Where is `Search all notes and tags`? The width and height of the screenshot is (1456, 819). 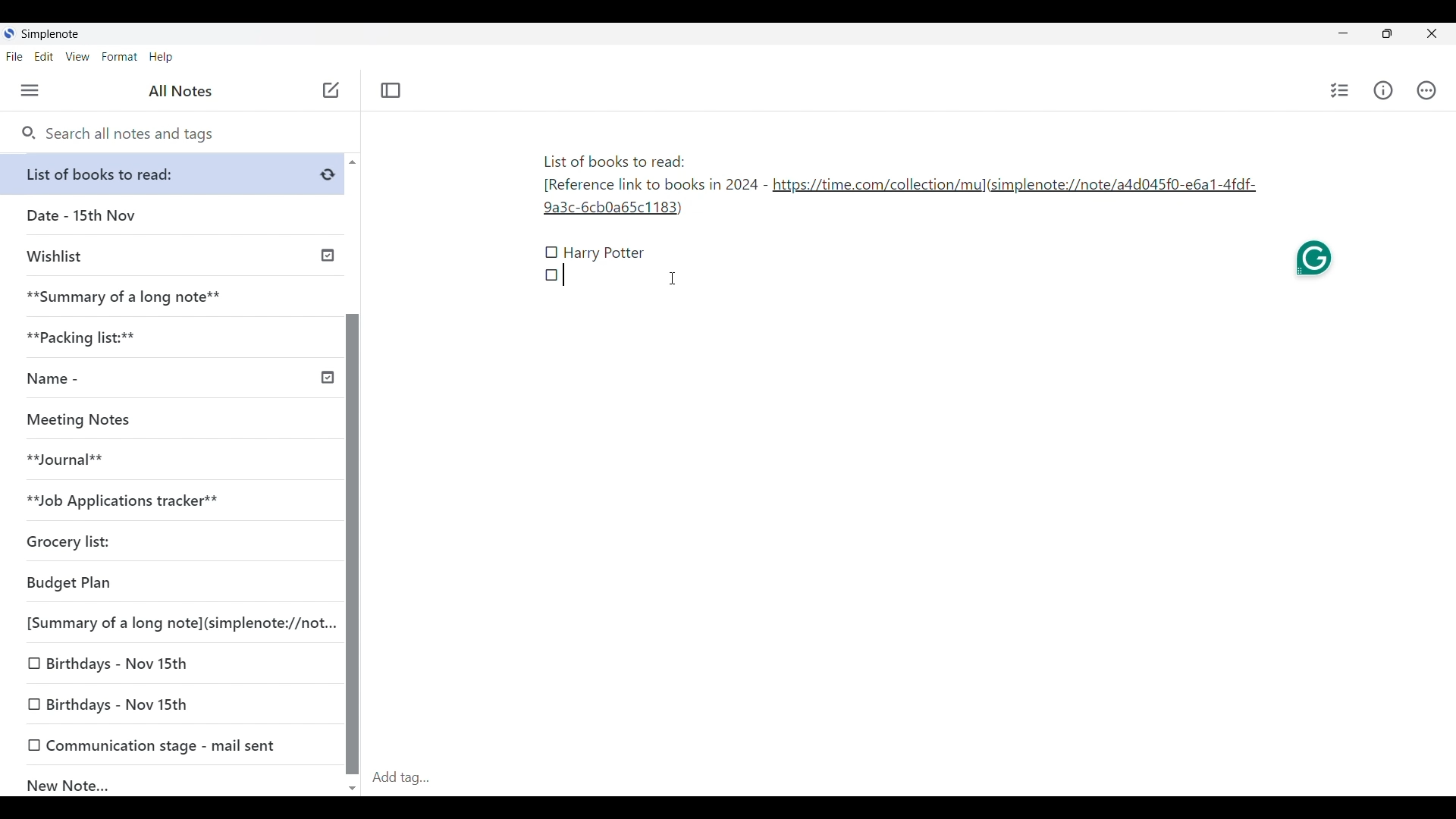
Search all notes and tags is located at coordinates (118, 134).